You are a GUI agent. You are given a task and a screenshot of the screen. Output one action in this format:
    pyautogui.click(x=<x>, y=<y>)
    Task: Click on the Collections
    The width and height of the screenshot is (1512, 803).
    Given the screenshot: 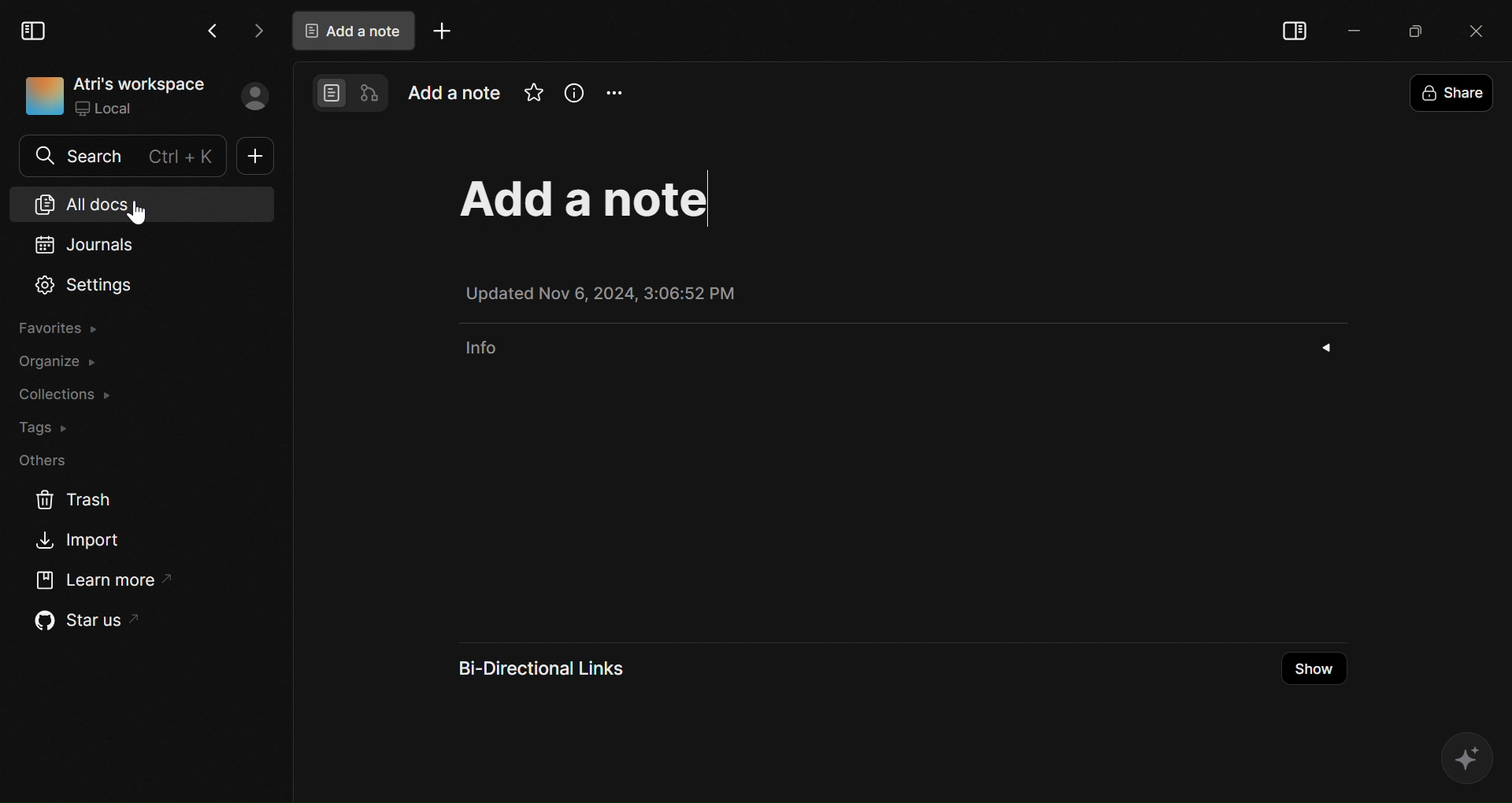 What is the action you would take?
    pyautogui.click(x=65, y=396)
    